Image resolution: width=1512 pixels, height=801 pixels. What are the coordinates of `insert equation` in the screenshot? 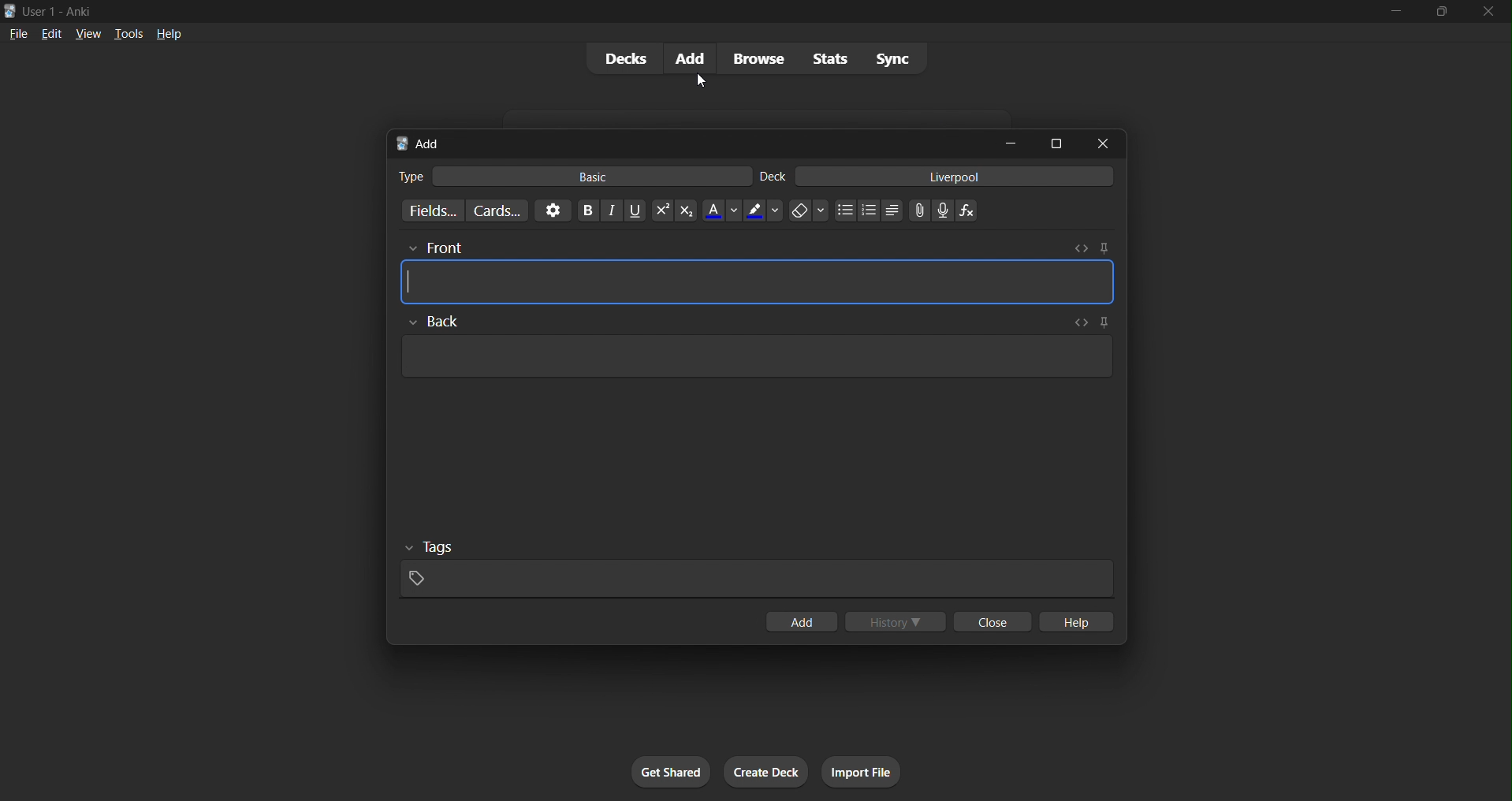 It's located at (967, 207).